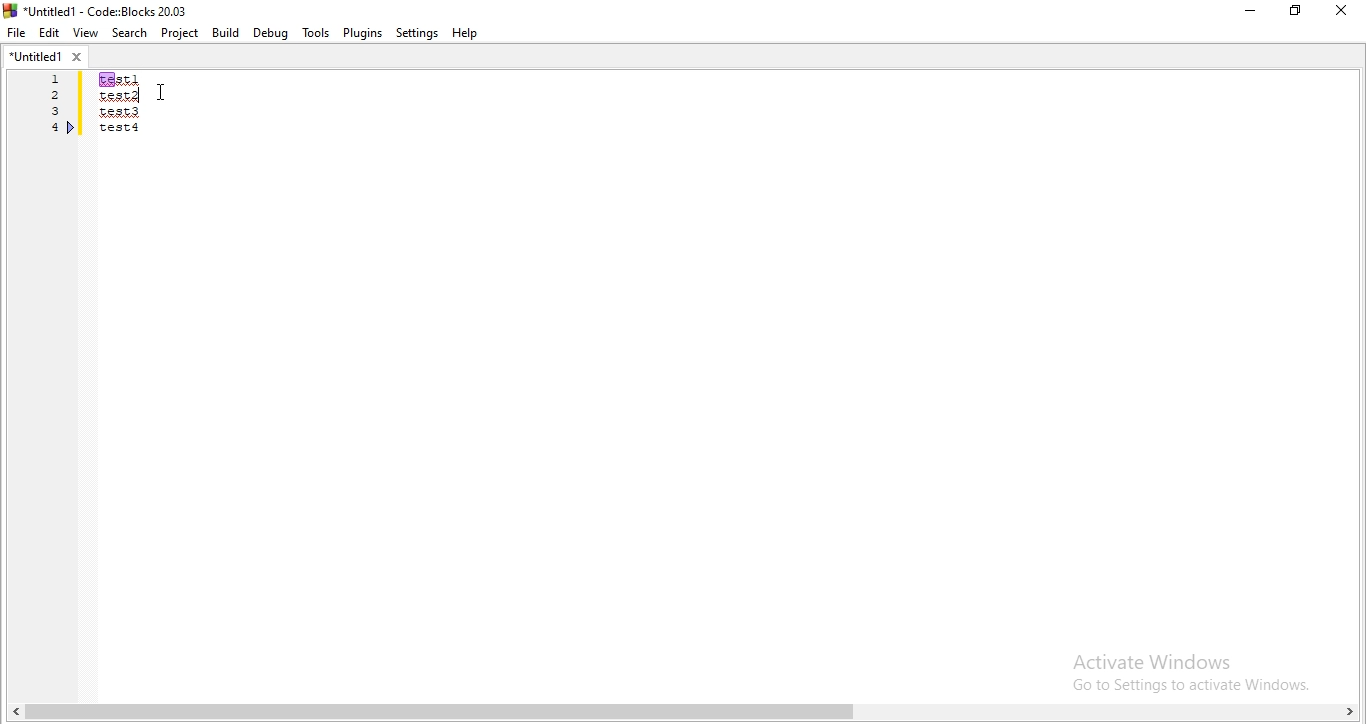  Describe the element at coordinates (72, 130) in the screenshot. I see `Debugger Point` at that location.